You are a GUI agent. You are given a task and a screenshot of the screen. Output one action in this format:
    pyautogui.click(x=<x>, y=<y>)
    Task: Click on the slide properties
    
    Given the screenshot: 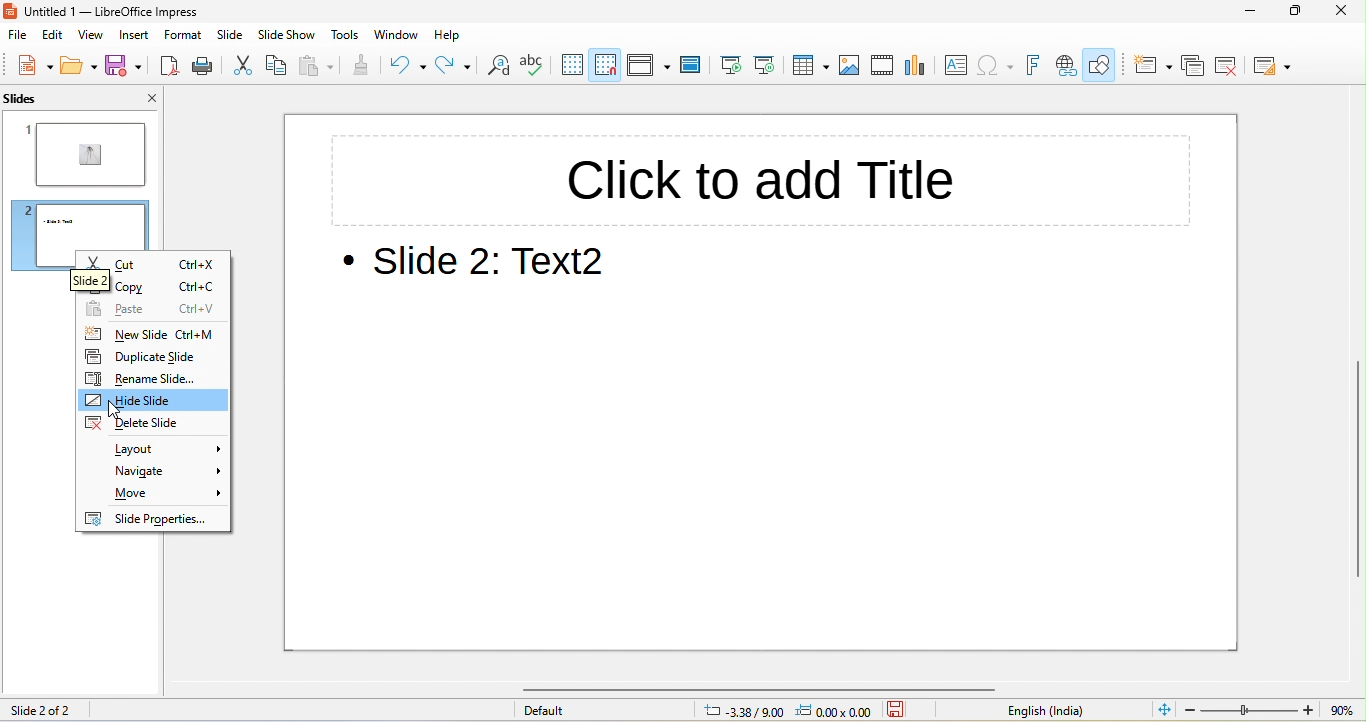 What is the action you would take?
    pyautogui.click(x=154, y=520)
    